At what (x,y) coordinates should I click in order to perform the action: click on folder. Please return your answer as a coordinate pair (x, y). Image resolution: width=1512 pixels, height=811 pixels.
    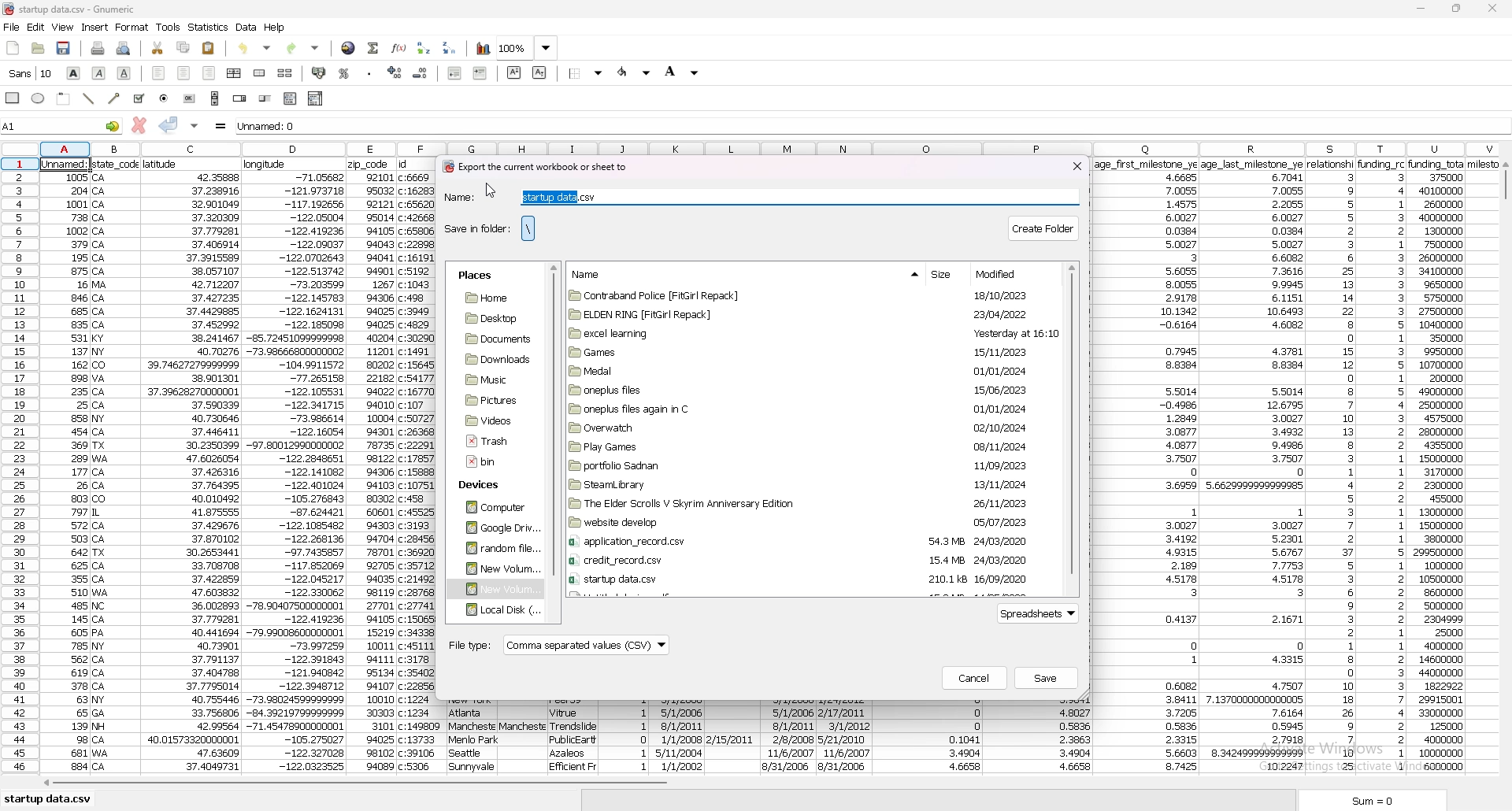
    Looking at the image, I should click on (494, 298).